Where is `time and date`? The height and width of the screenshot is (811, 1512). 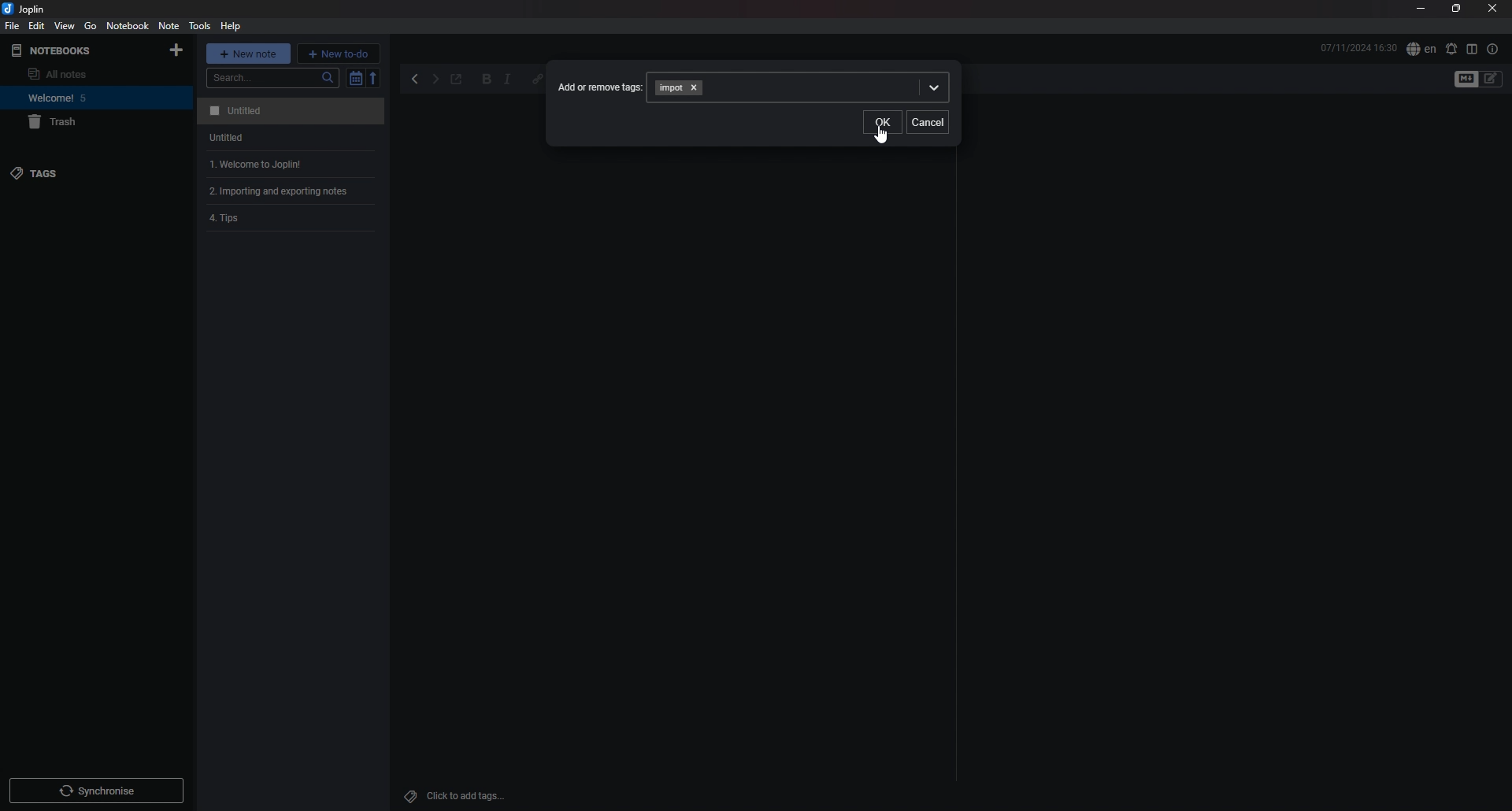
time and date is located at coordinates (1358, 47).